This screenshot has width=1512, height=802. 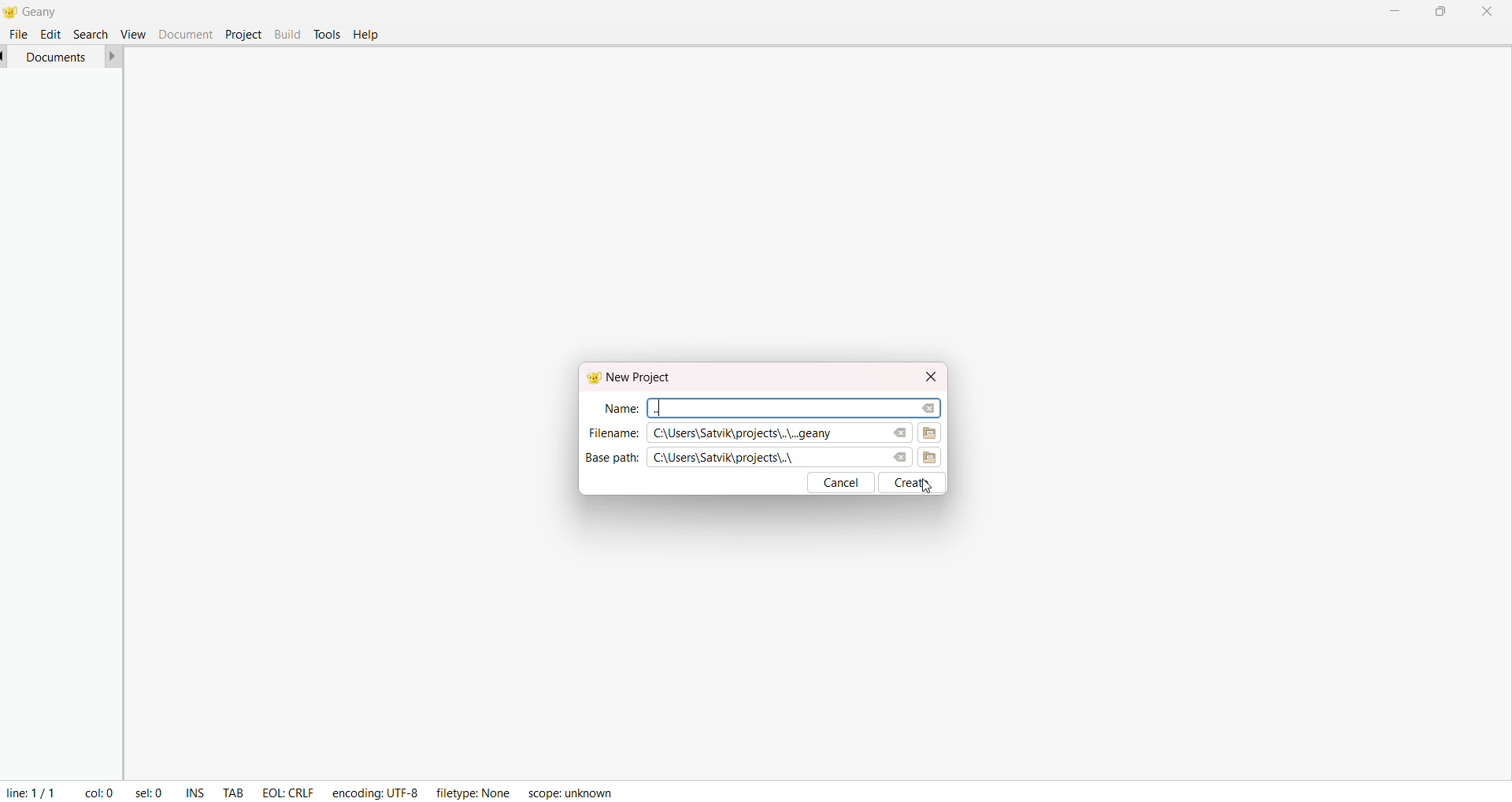 I want to click on clear base path, so click(x=900, y=455).